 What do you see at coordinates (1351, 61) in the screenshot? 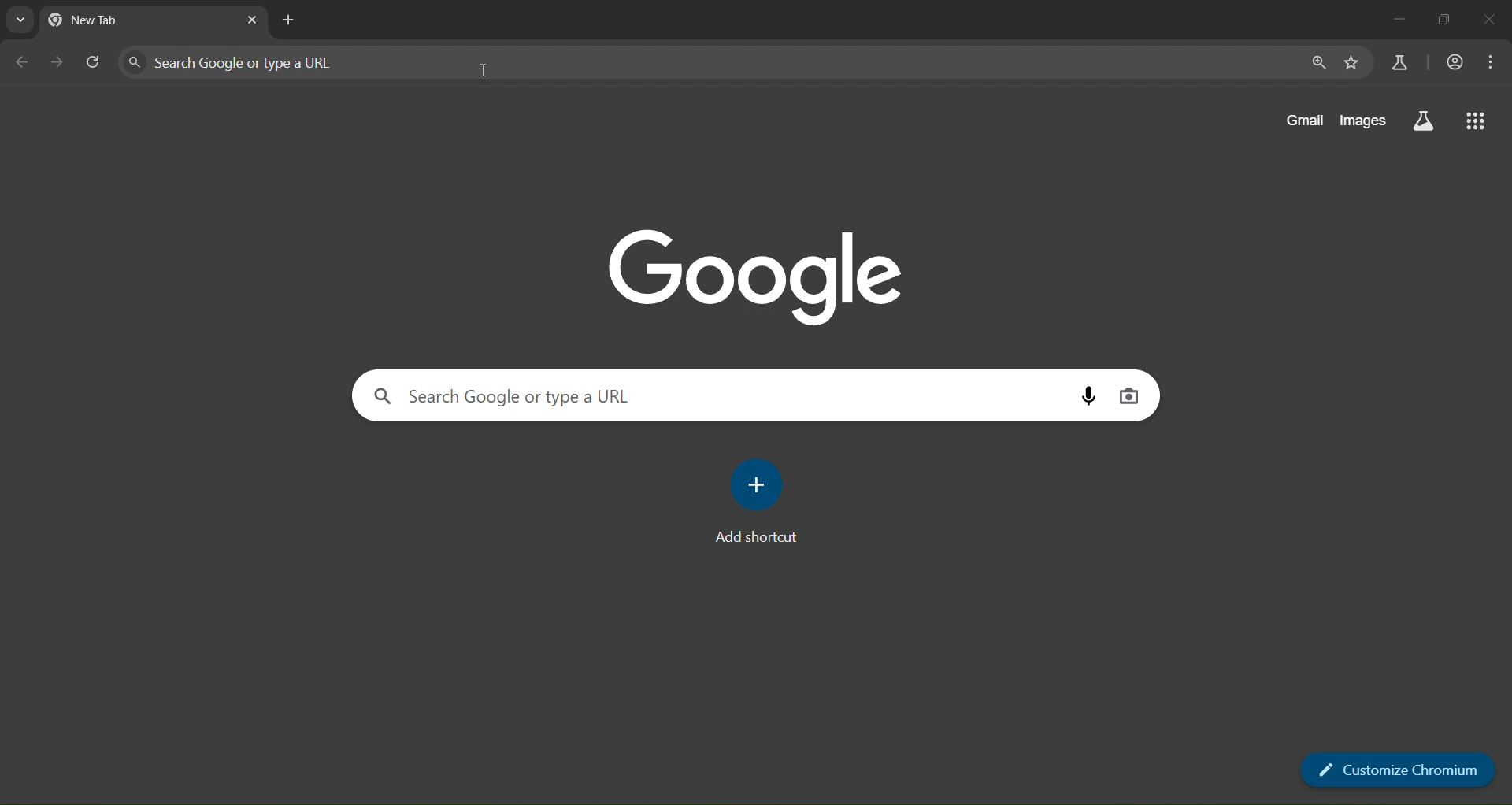
I see `bookmark page` at bounding box center [1351, 61].